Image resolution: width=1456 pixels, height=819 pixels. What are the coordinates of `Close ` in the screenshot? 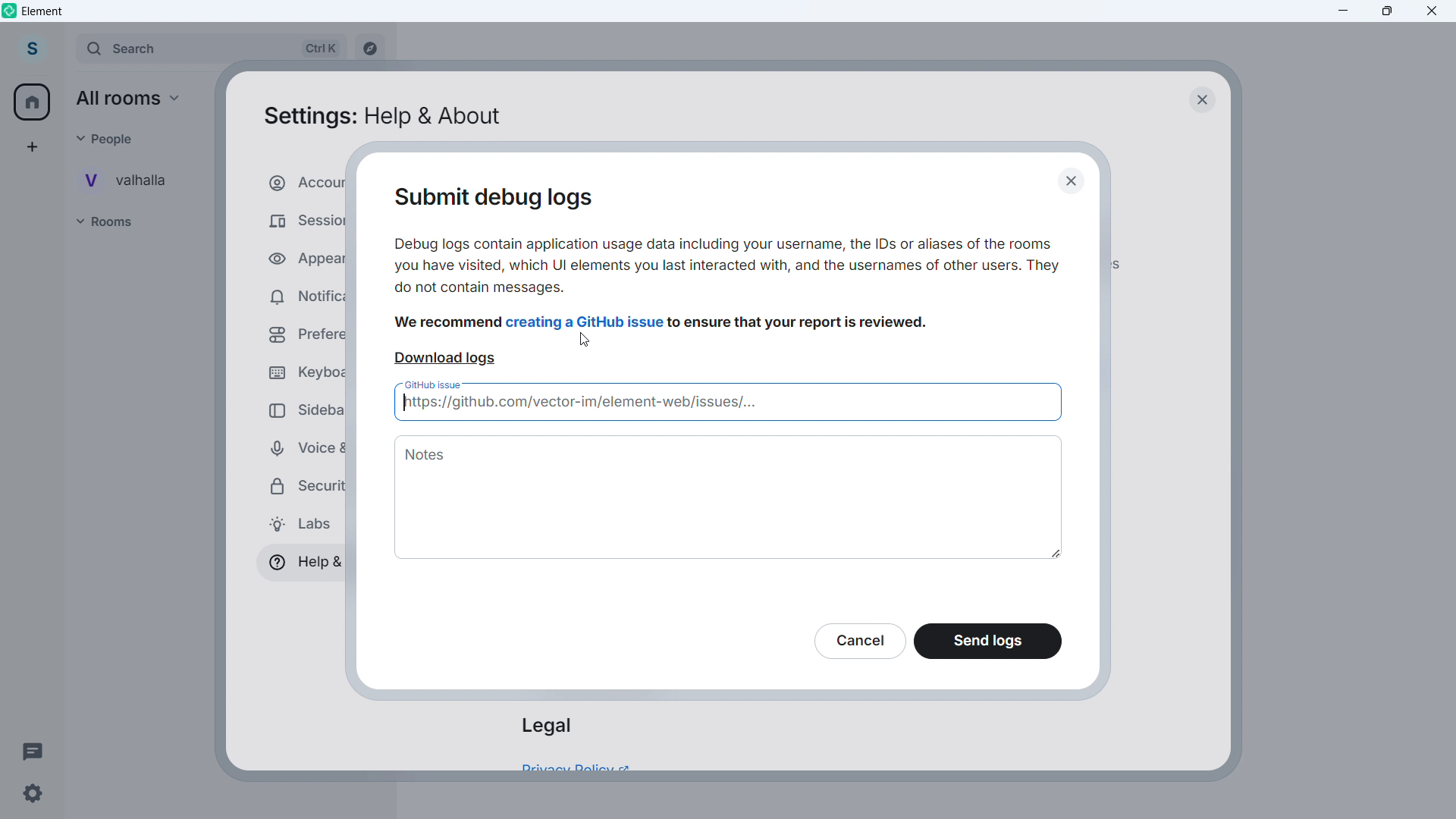 It's located at (1432, 11).